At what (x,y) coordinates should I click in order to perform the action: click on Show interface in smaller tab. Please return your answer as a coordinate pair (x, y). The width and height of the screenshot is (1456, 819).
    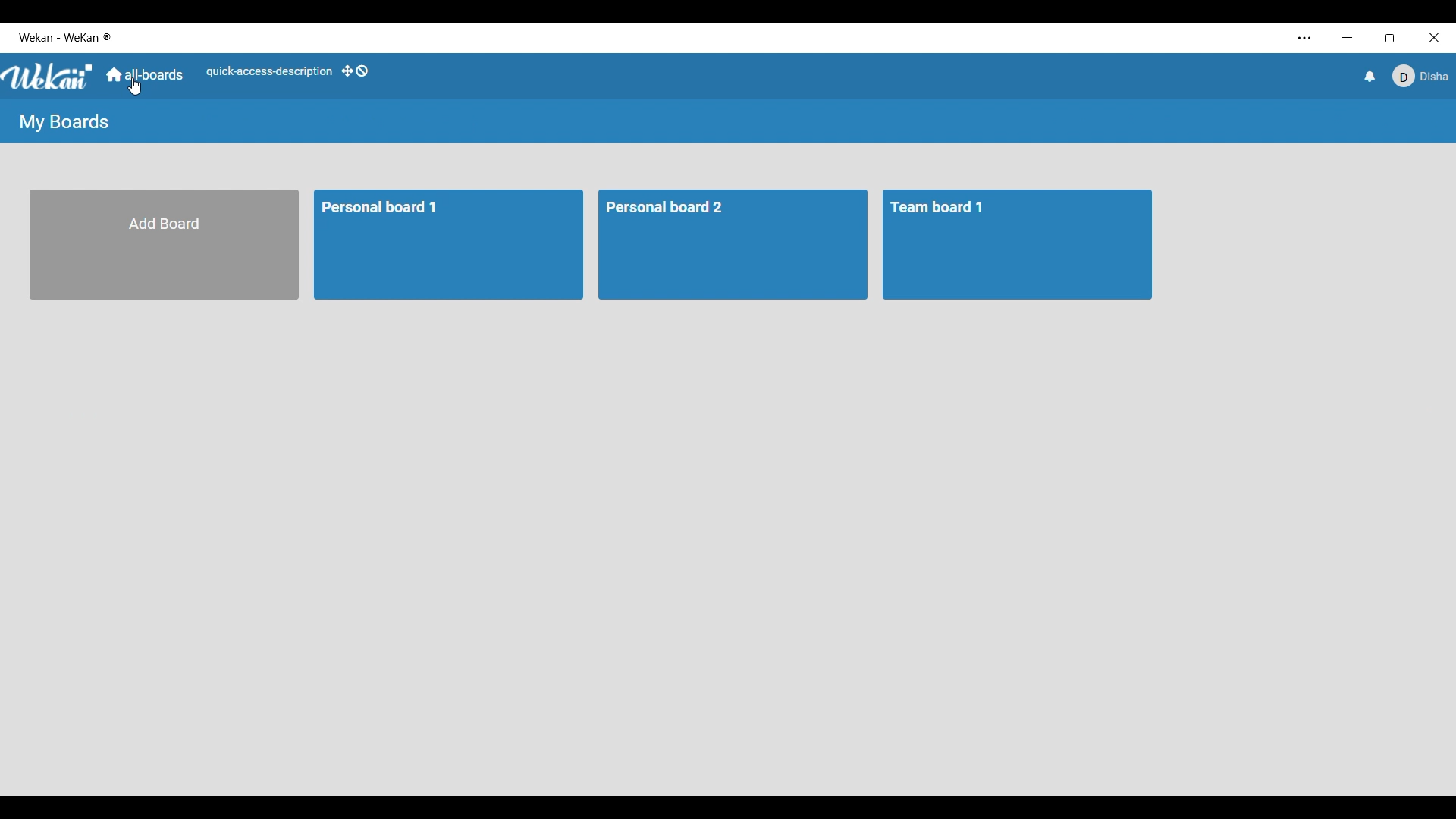
    Looking at the image, I should click on (1391, 38).